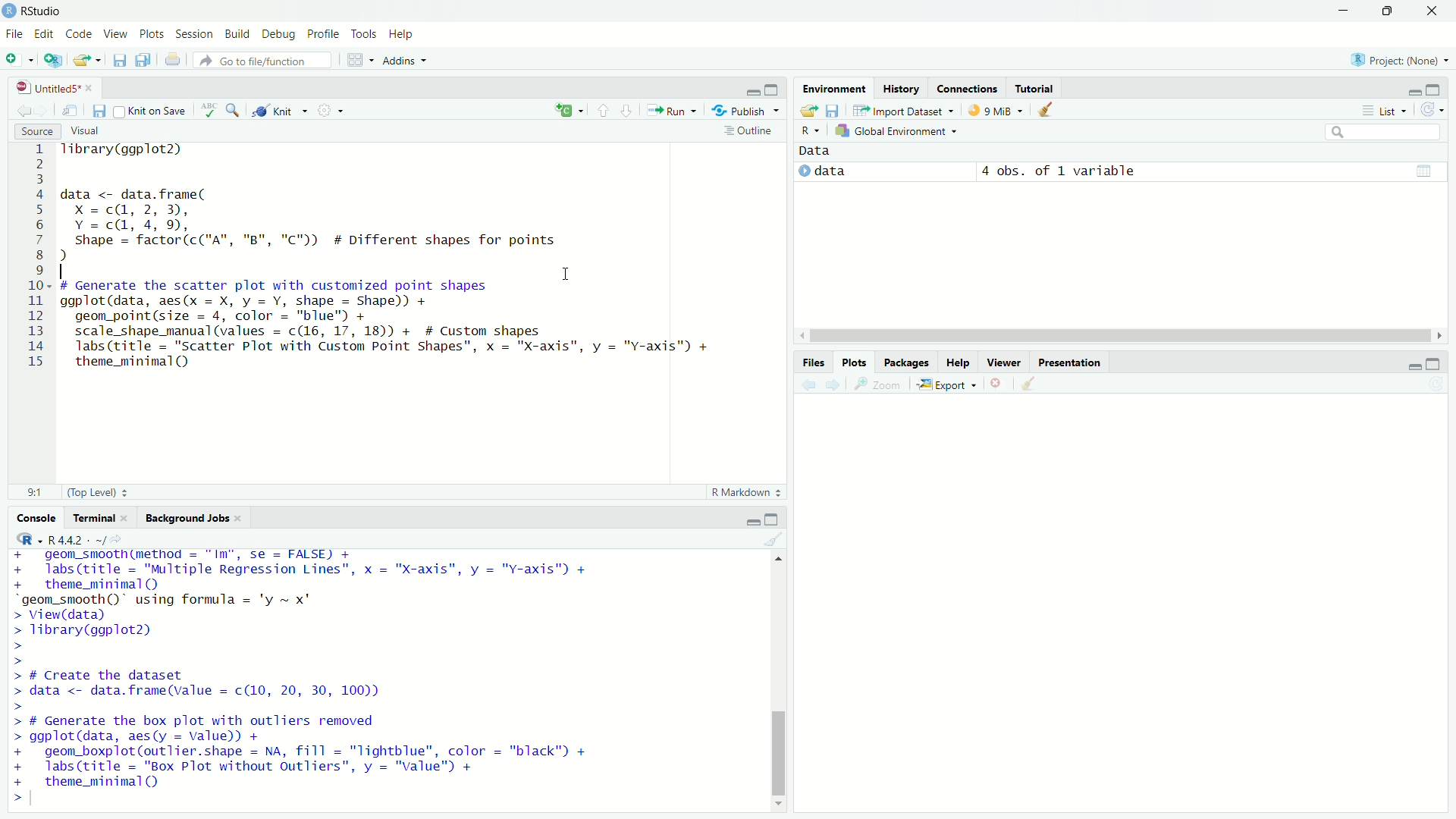  What do you see at coordinates (237, 33) in the screenshot?
I see `Build` at bounding box center [237, 33].